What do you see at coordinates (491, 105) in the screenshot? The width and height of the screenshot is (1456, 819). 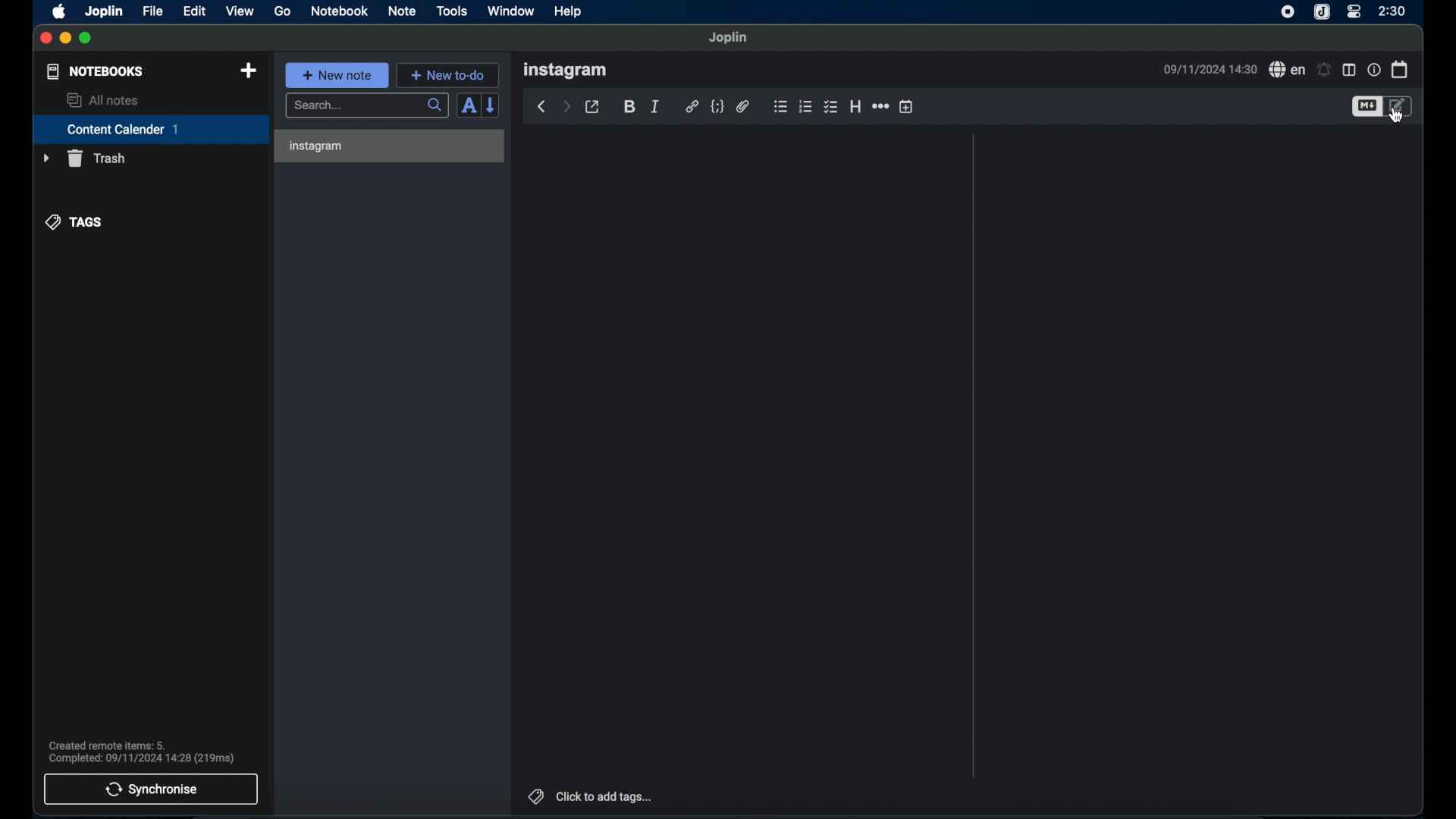 I see `reverse sort order` at bounding box center [491, 105].